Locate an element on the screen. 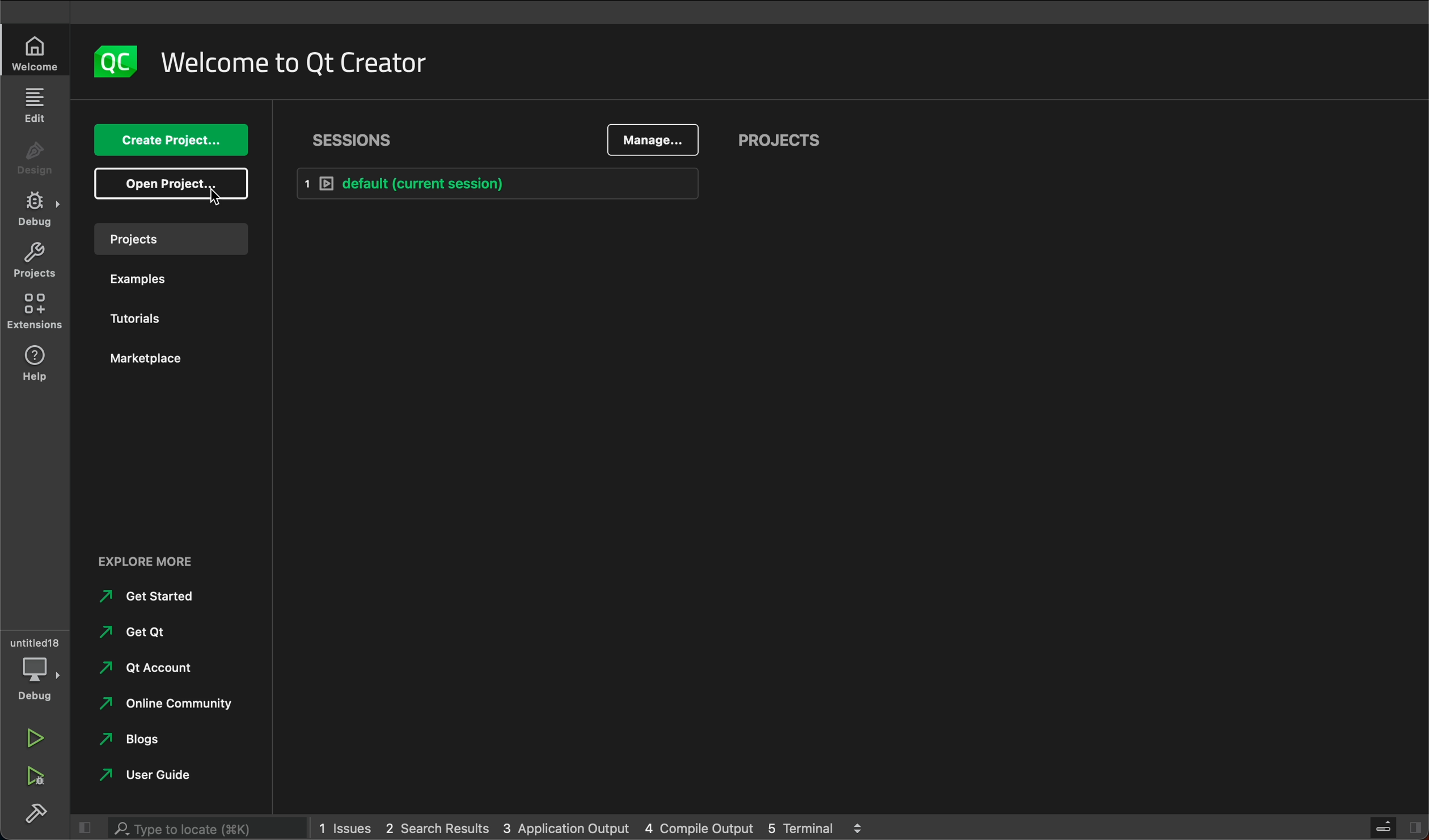  examples is located at coordinates (141, 277).